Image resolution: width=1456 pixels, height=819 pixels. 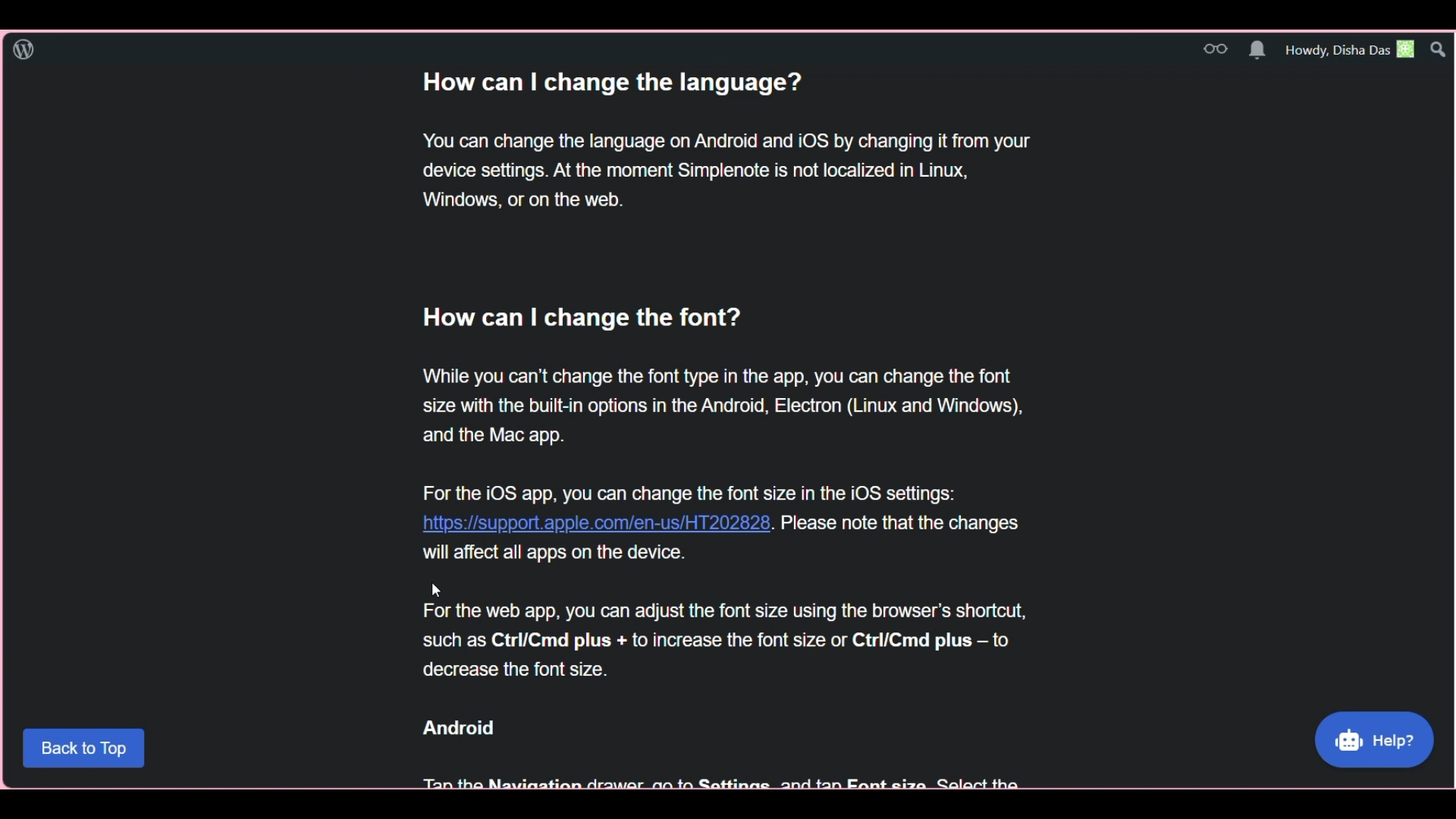 I want to click on Search, so click(x=1439, y=49).